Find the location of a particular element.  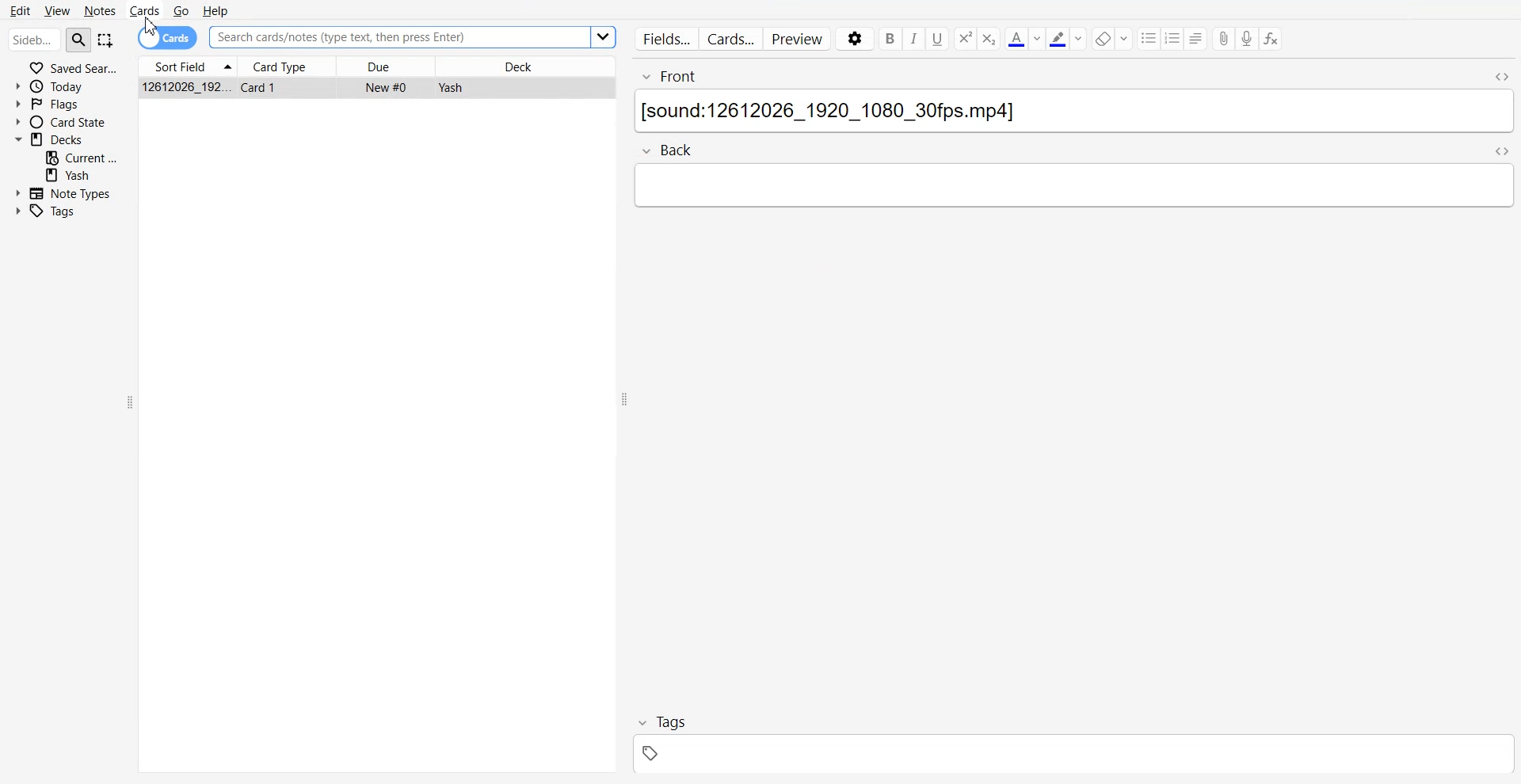

 is located at coordinates (604, 38).